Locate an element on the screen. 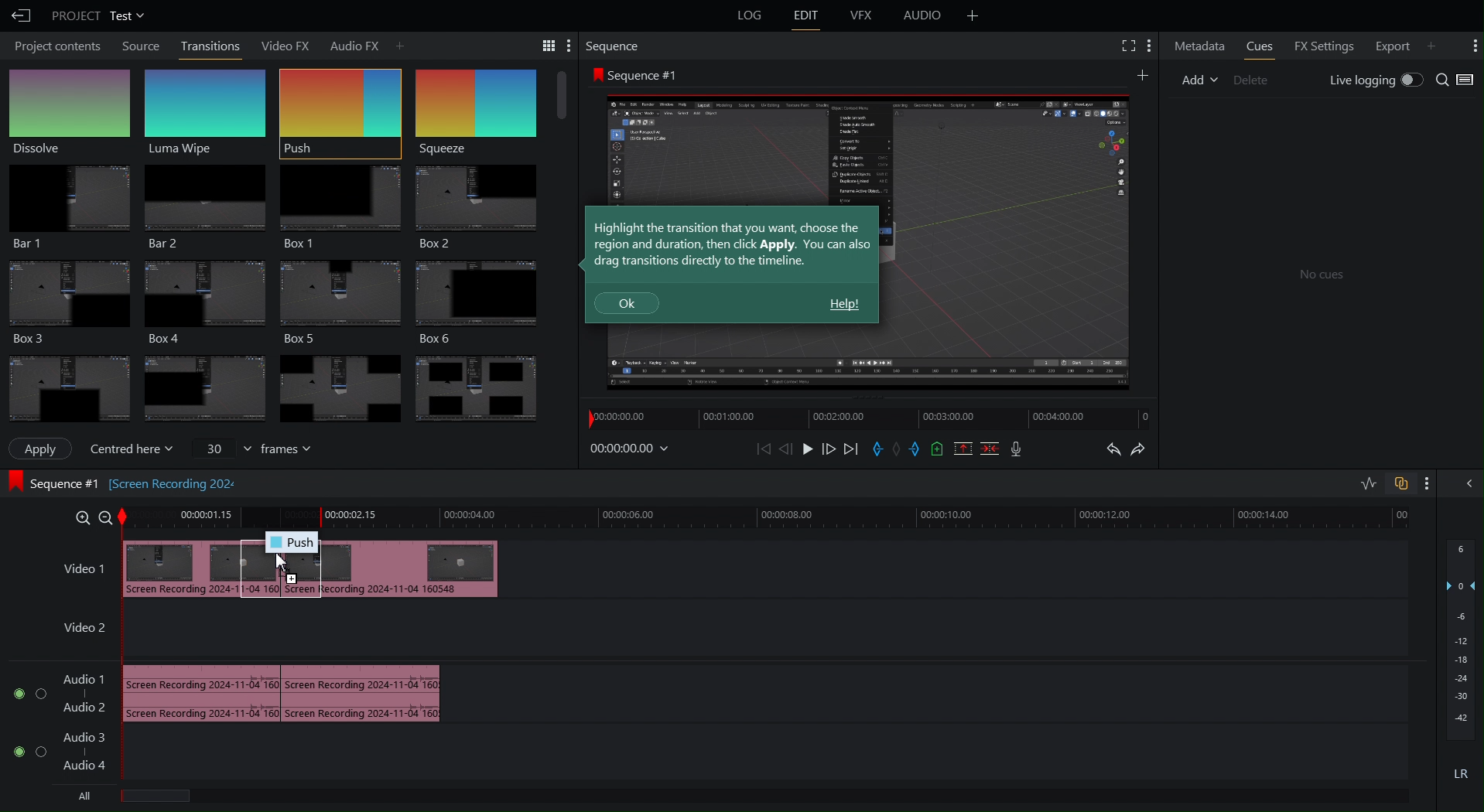 This screenshot has width=1484, height=812. Audio Track 3 is located at coordinates (89, 733).